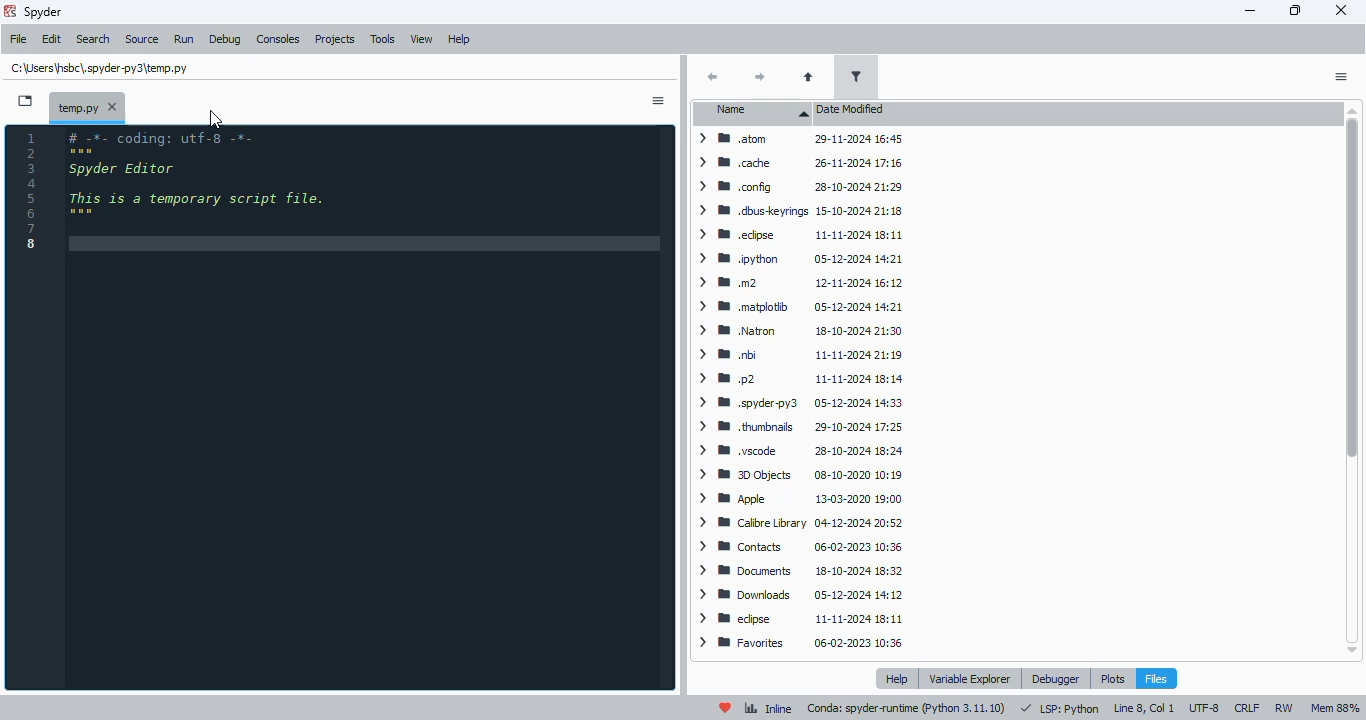 This screenshot has width=1366, height=720. What do you see at coordinates (113, 106) in the screenshot?
I see `close tab` at bounding box center [113, 106].